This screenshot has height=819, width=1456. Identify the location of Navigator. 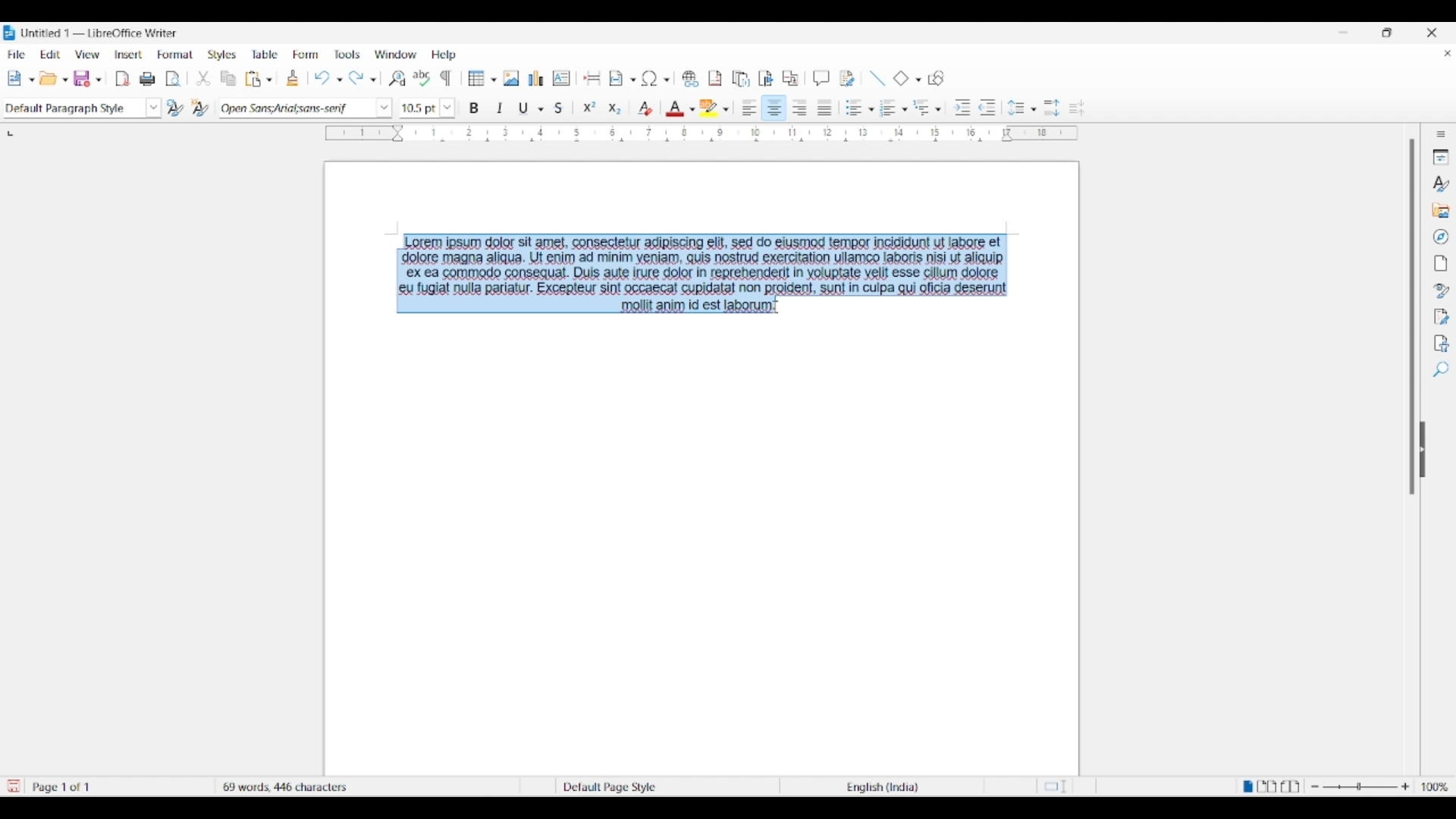
(1441, 237).